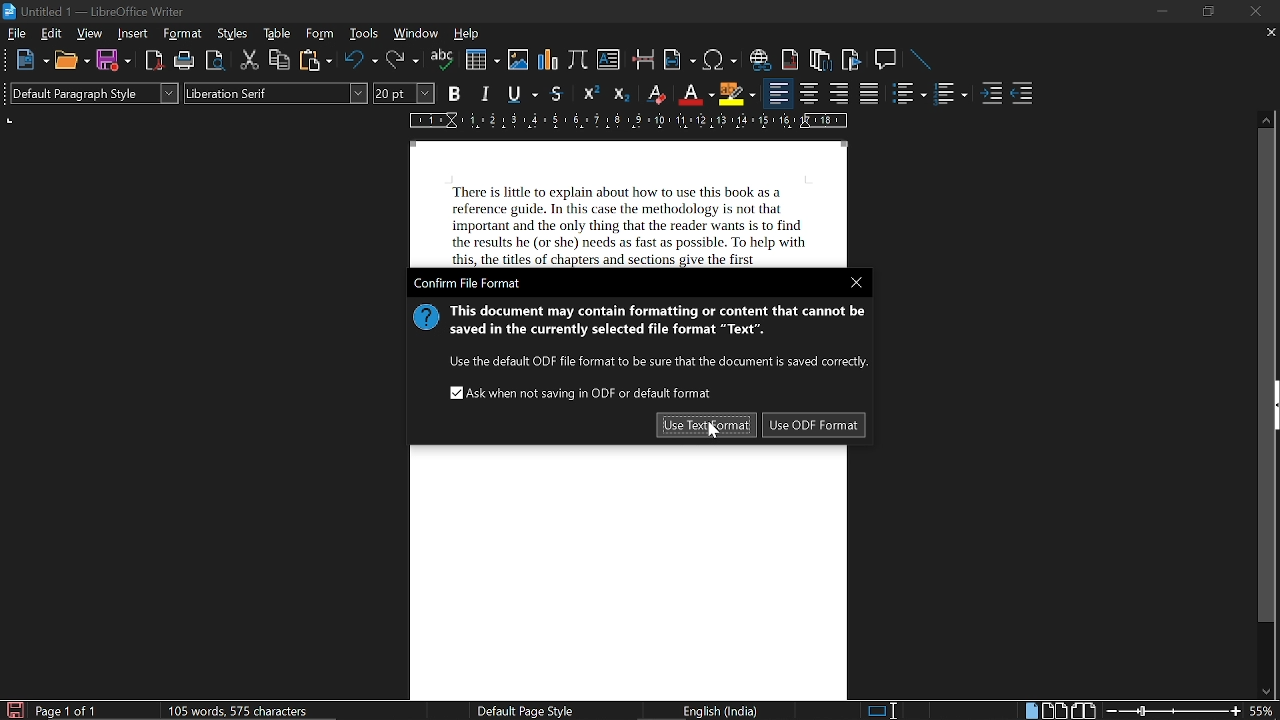 Image resolution: width=1280 pixels, height=720 pixels. I want to click on redo, so click(403, 61).